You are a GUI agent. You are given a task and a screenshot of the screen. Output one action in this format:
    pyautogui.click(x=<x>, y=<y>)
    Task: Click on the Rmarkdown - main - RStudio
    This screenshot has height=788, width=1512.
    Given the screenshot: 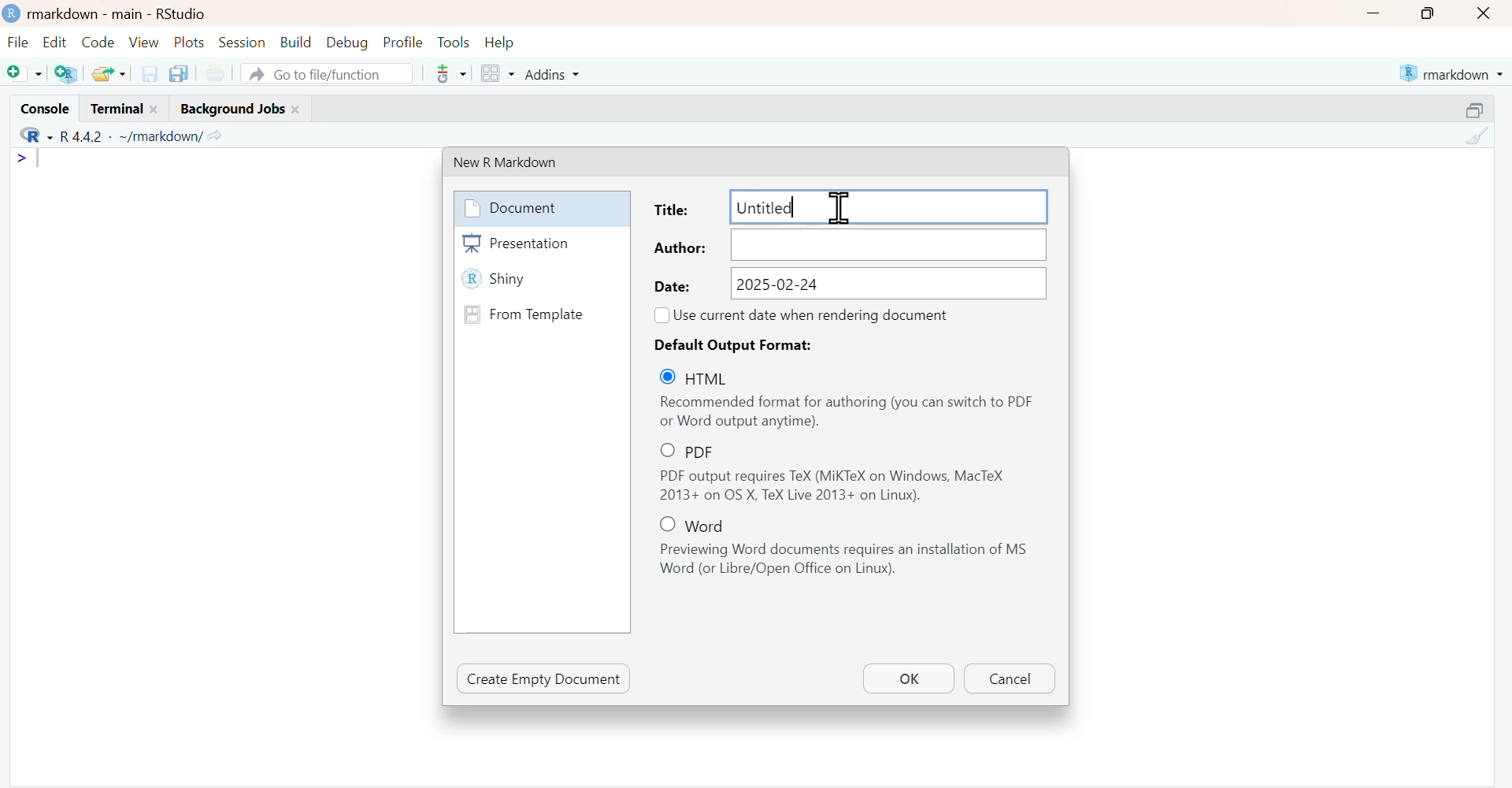 What is the action you would take?
    pyautogui.click(x=122, y=13)
    